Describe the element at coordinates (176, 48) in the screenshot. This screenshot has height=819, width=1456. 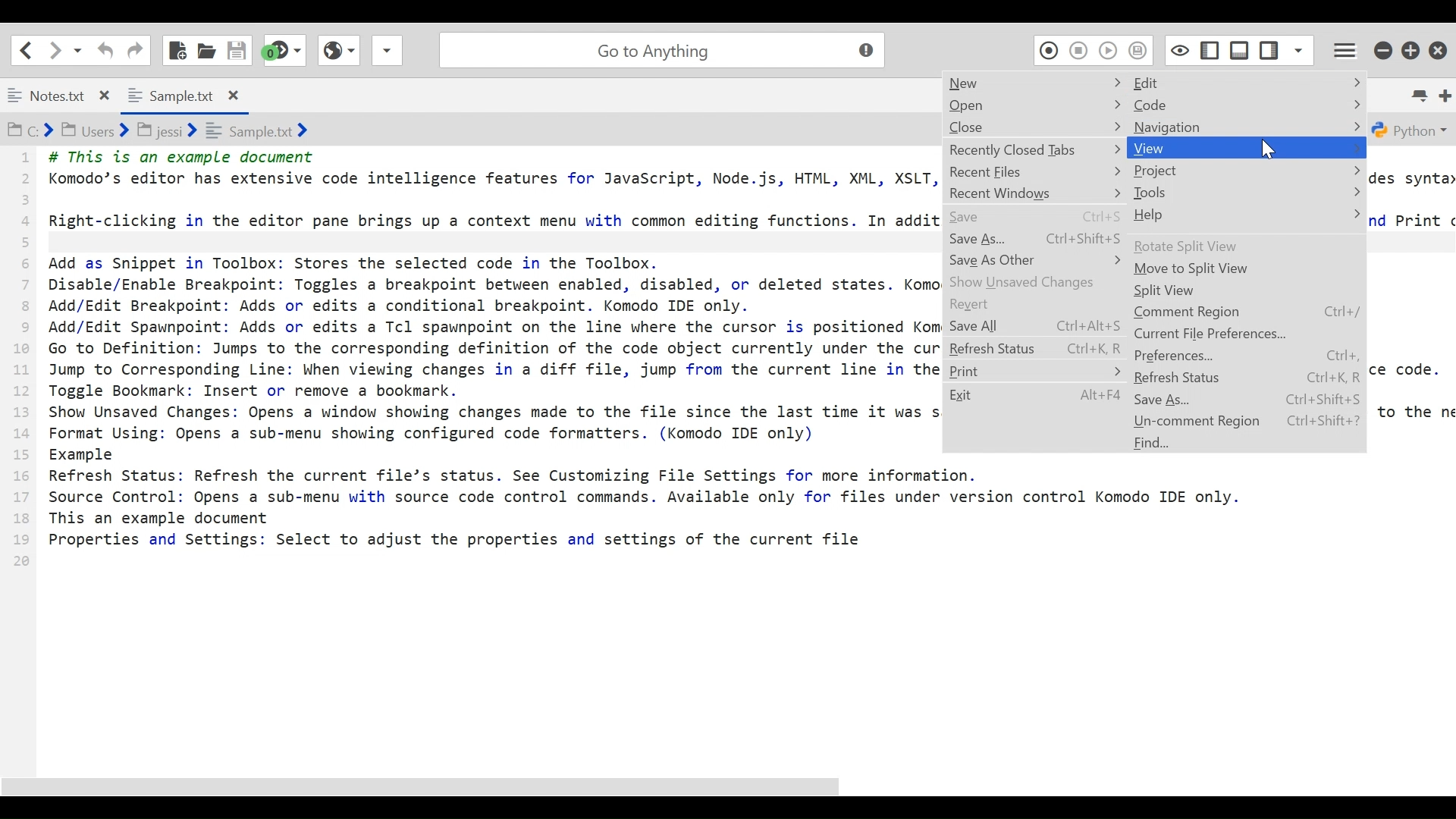
I see `New File` at that location.